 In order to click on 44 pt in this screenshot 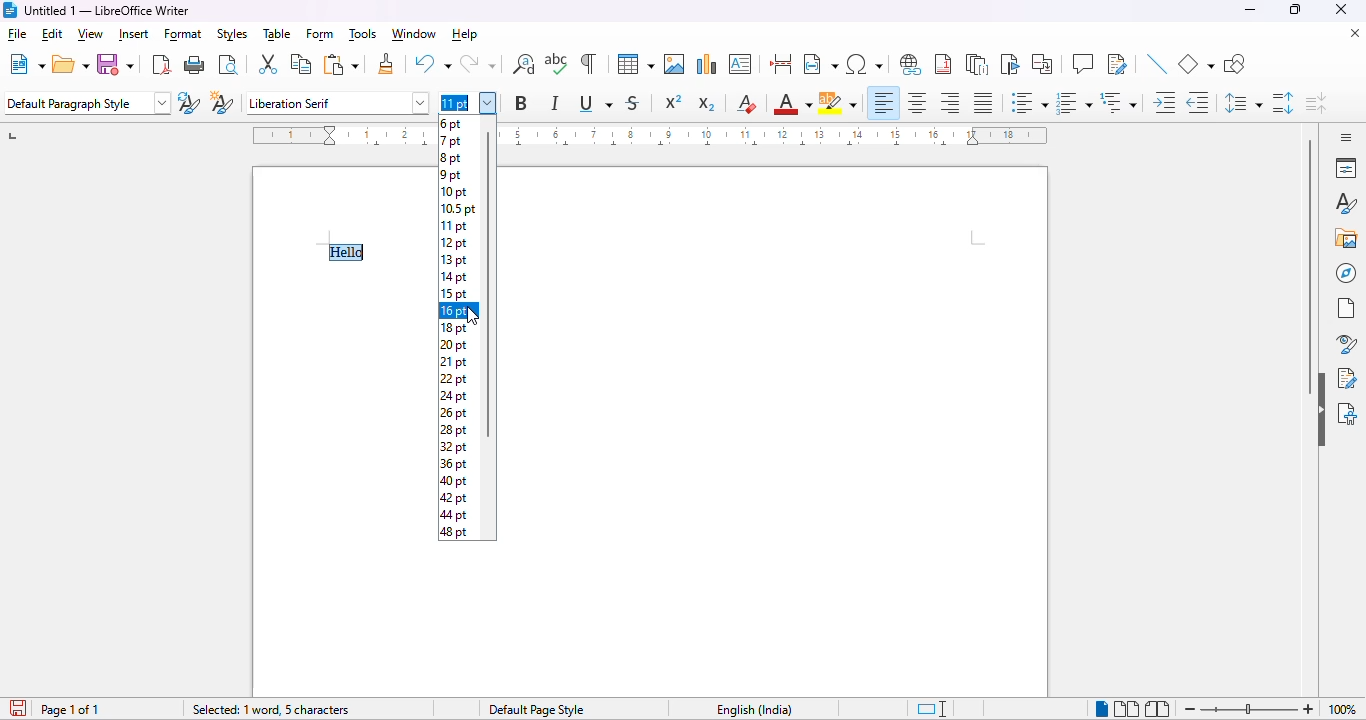, I will do `click(453, 515)`.